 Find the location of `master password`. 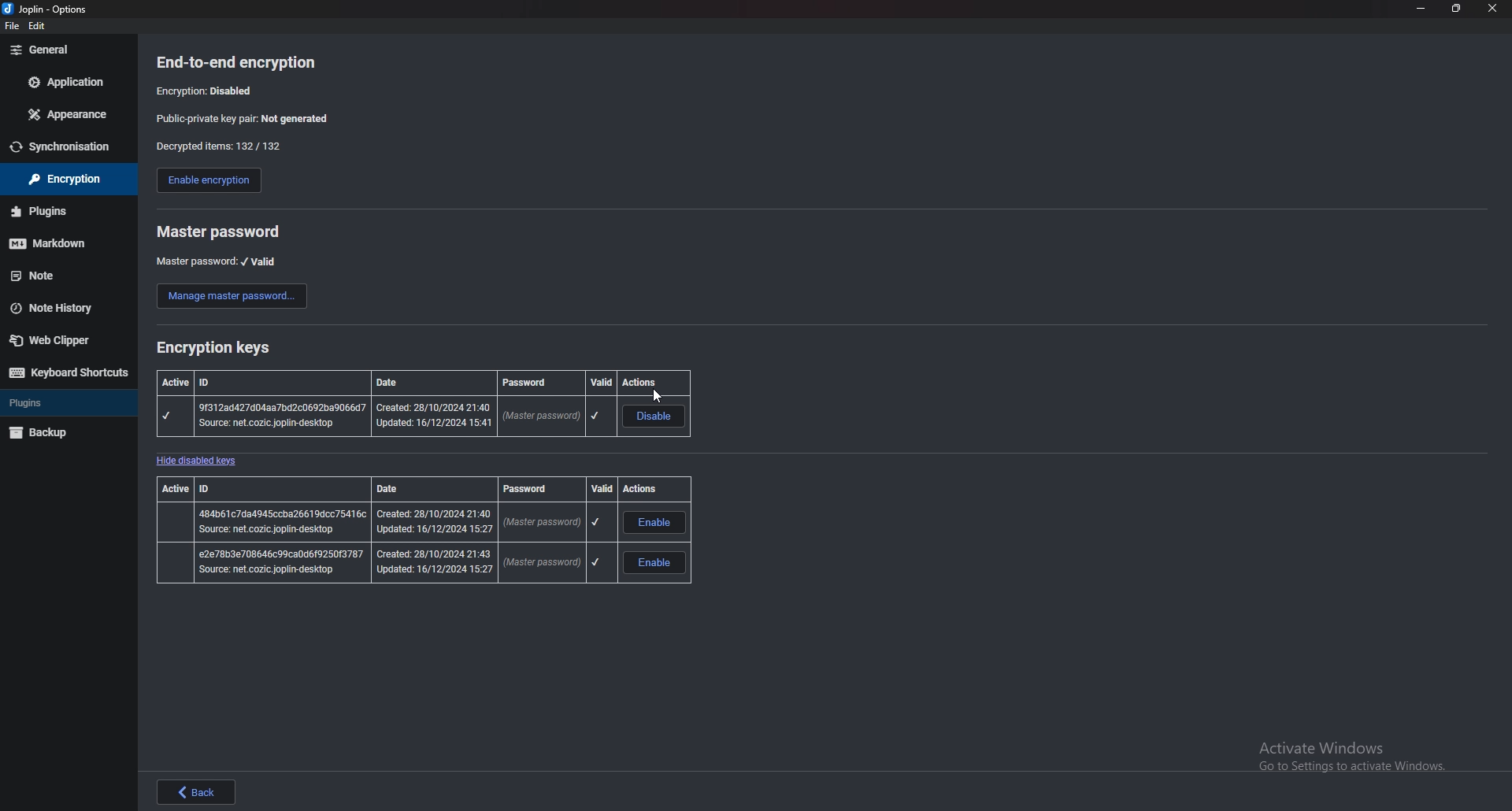

master password is located at coordinates (383, 520).